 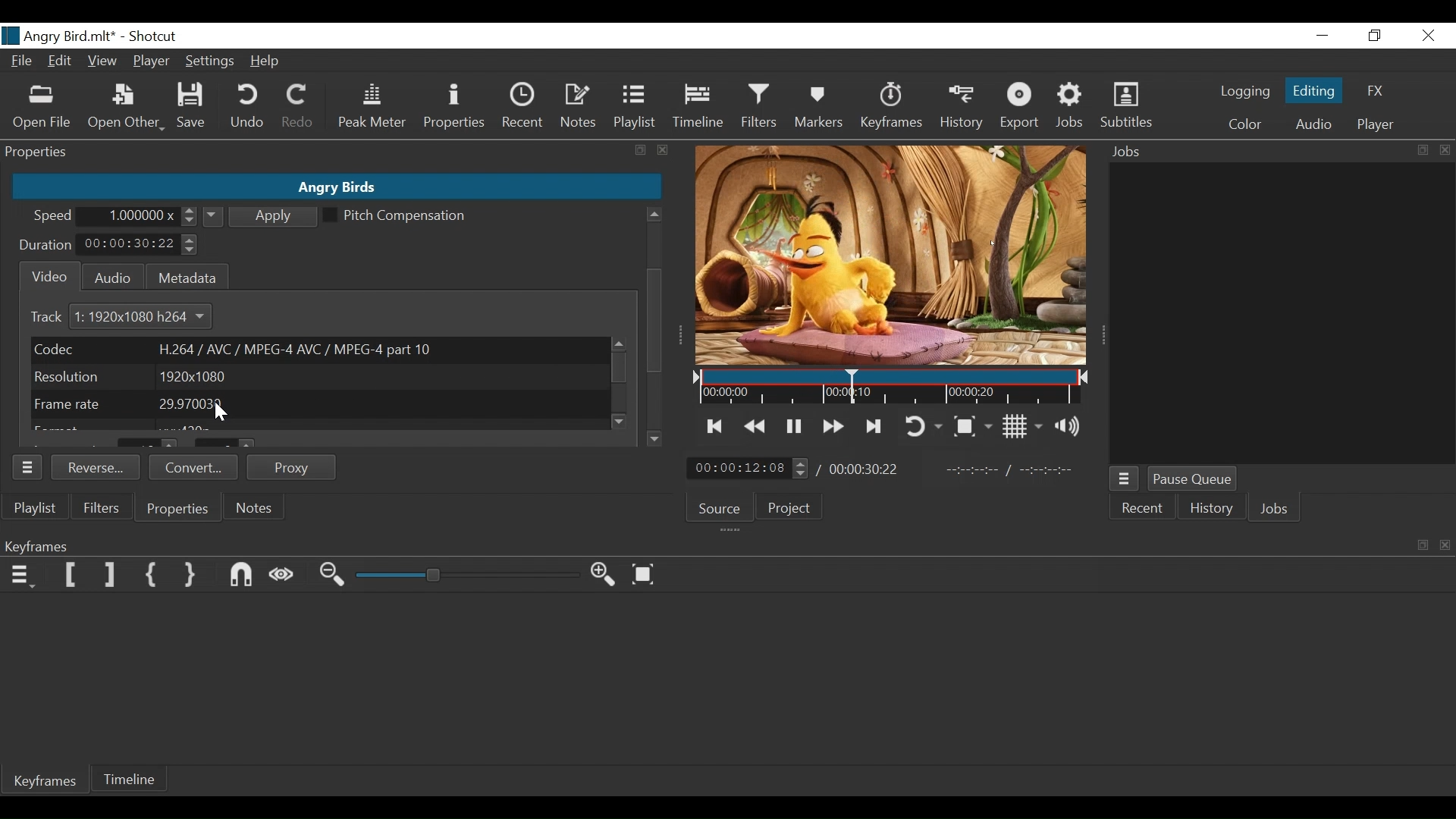 What do you see at coordinates (893, 110) in the screenshot?
I see `Keyframe` at bounding box center [893, 110].